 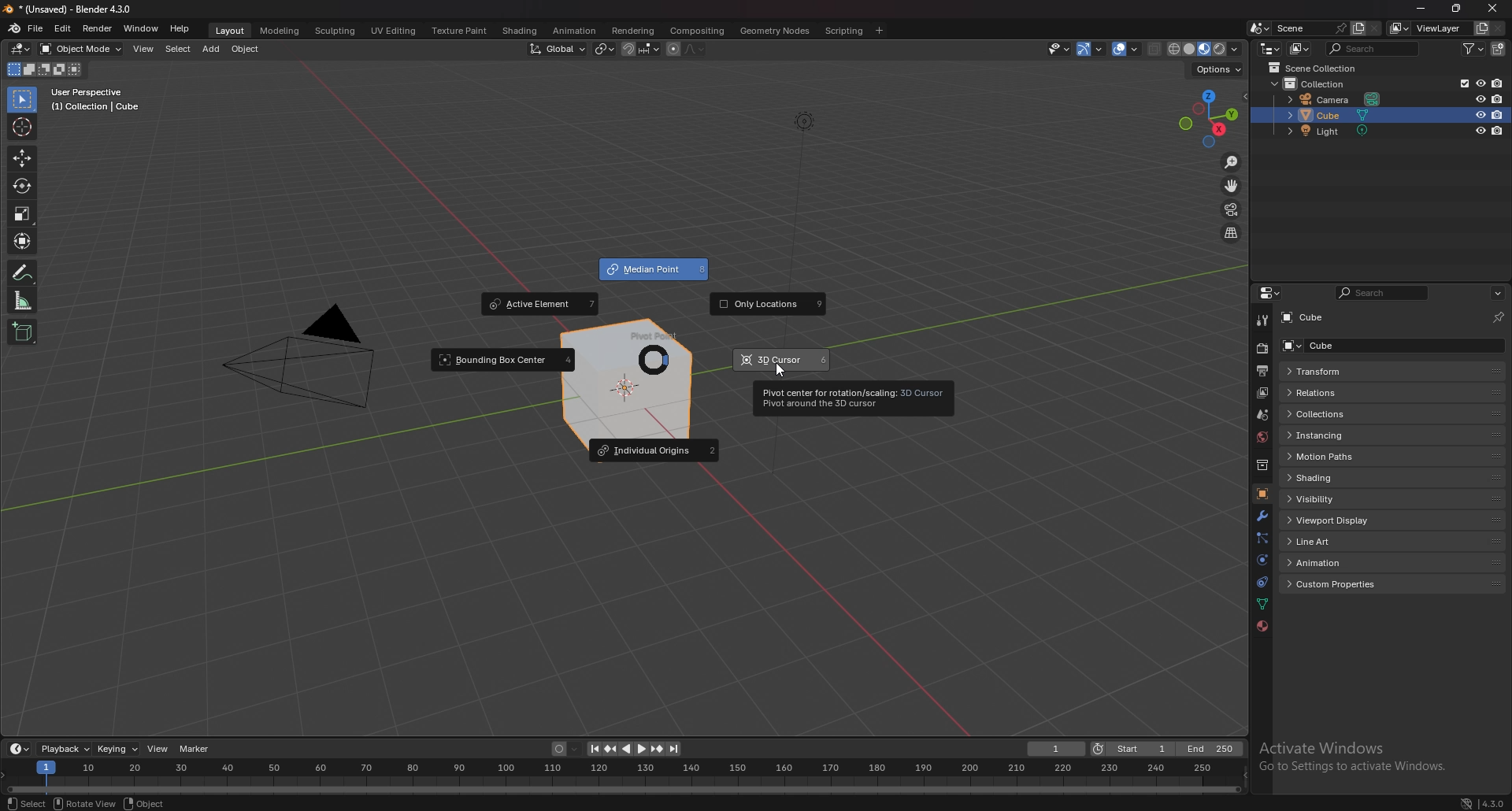 What do you see at coordinates (1262, 350) in the screenshot?
I see `render` at bounding box center [1262, 350].